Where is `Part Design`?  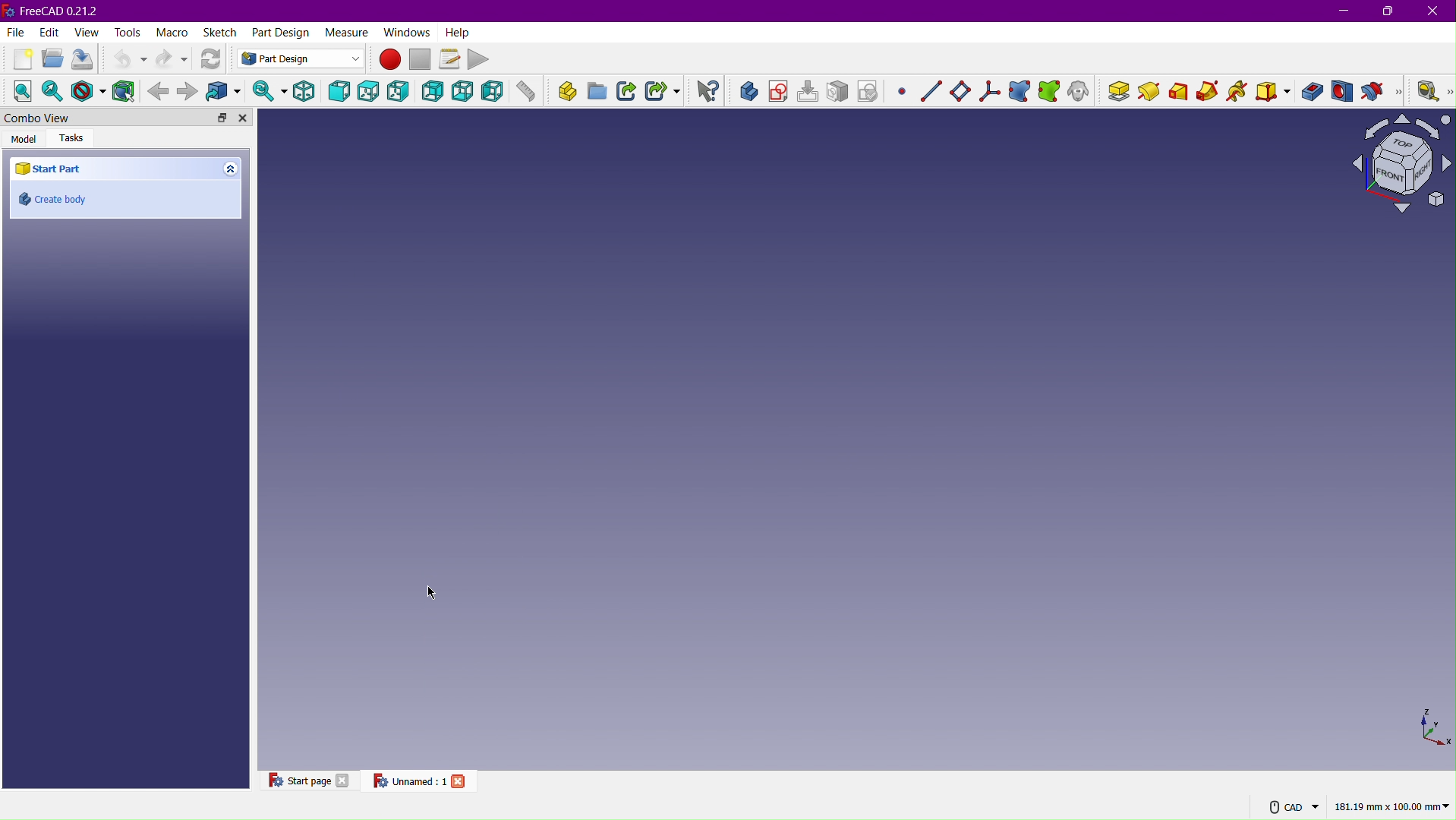 Part Design is located at coordinates (283, 29).